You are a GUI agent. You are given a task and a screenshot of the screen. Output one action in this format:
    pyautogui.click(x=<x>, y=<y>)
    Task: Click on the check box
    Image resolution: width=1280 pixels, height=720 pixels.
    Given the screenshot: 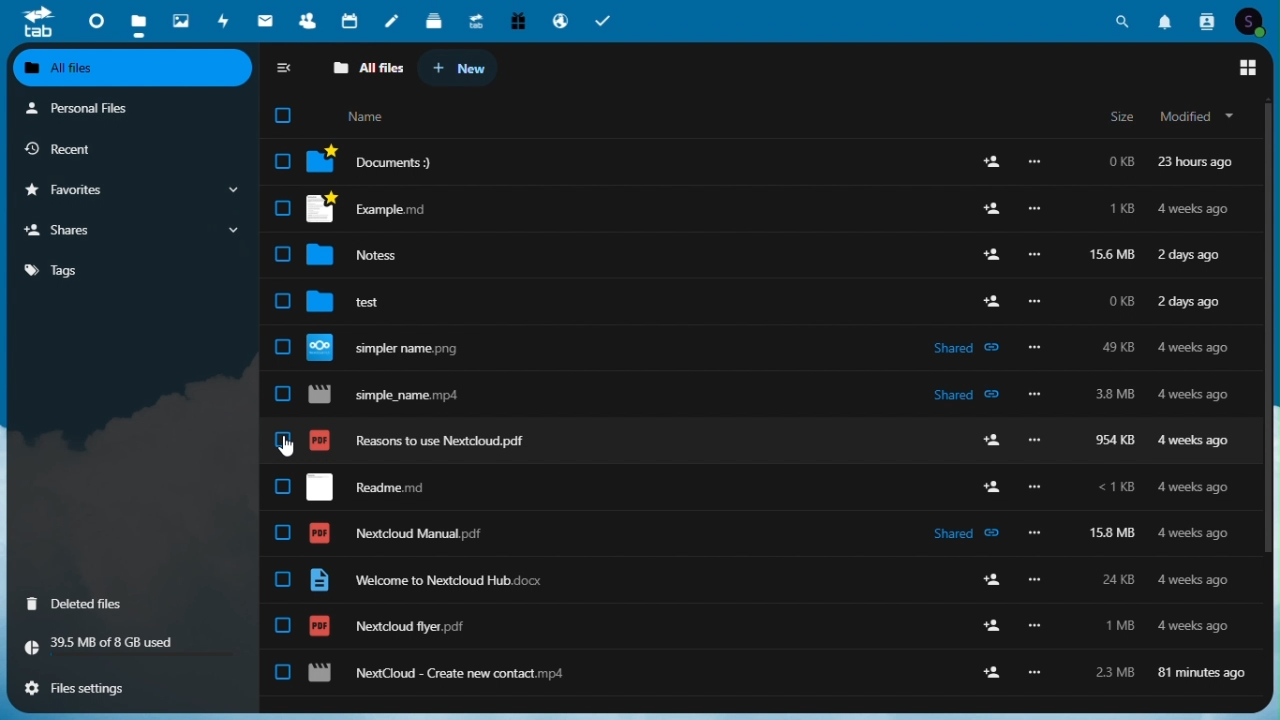 What is the action you would take?
    pyautogui.click(x=286, y=163)
    